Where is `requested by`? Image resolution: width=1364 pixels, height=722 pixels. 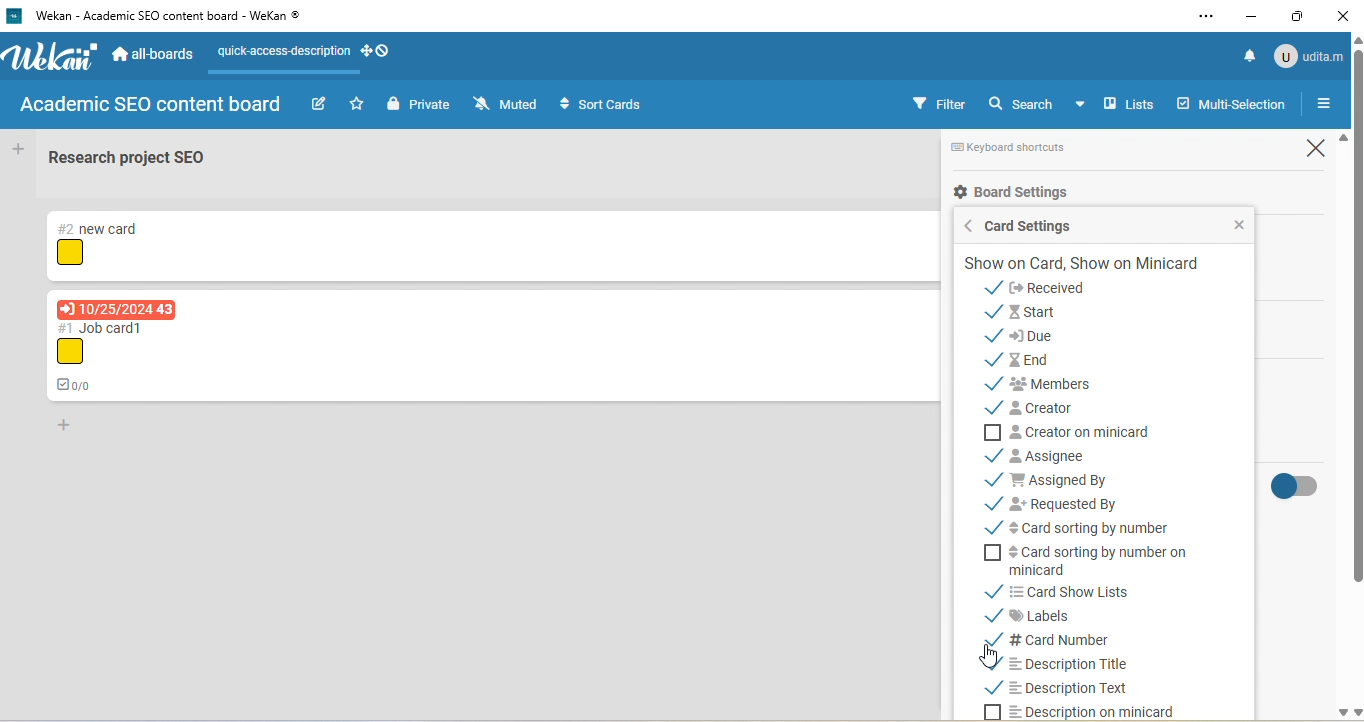
requested by is located at coordinates (1057, 501).